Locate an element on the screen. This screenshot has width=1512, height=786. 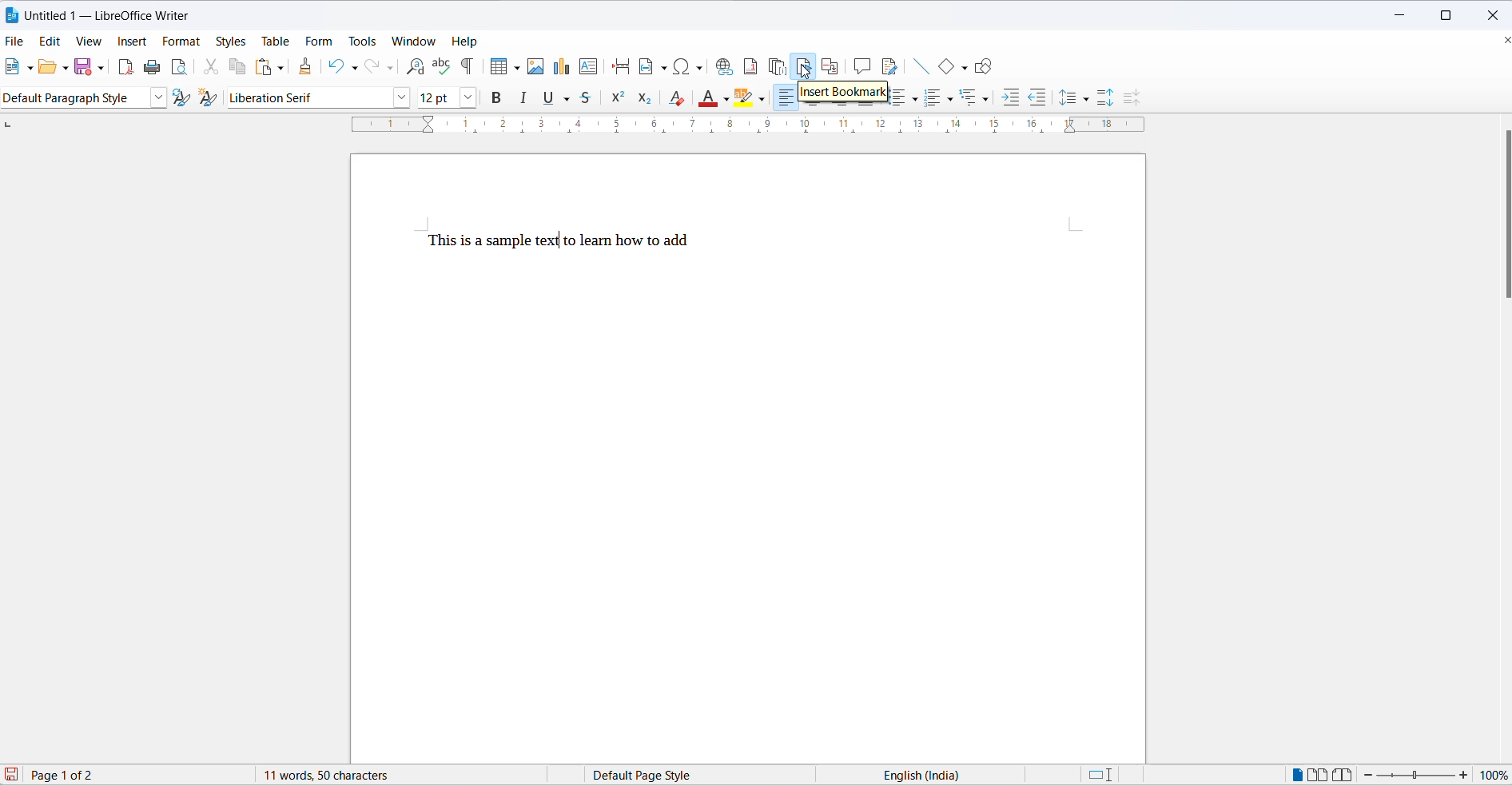
find and replace is located at coordinates (416, 65).